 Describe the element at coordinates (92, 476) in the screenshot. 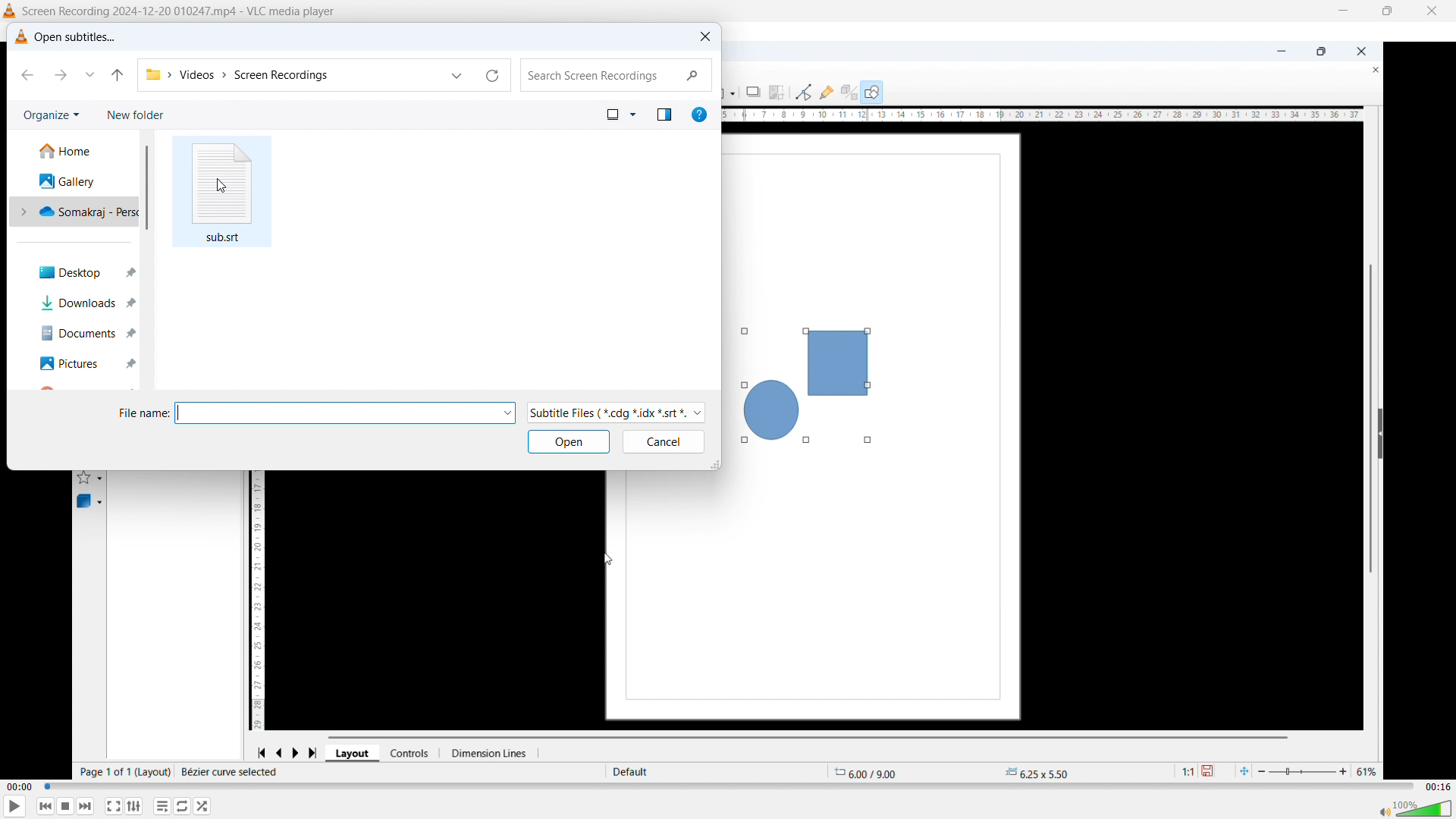

I see `star and banner` at that location.